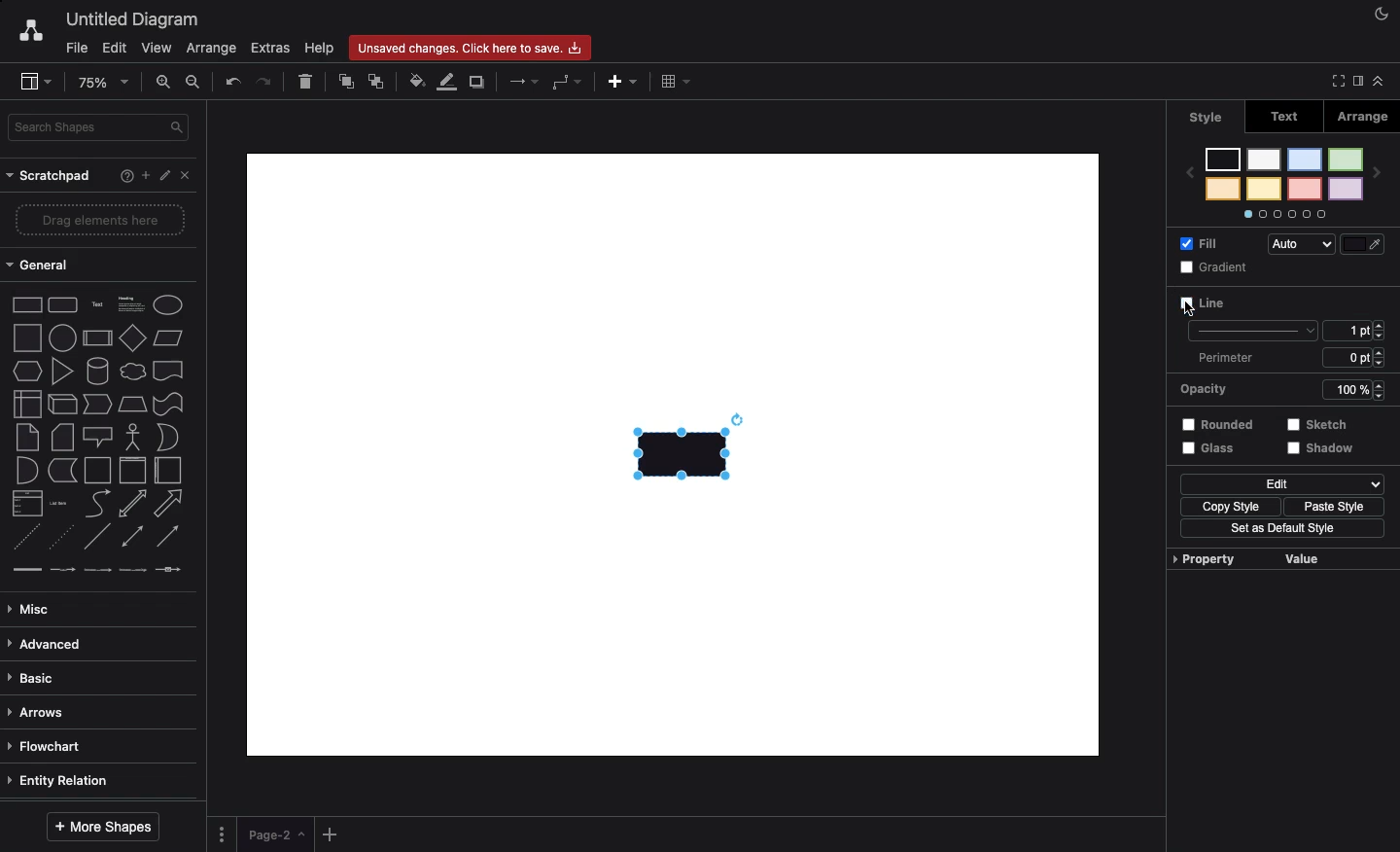  I want to click on cylinder, so click(95, 372).